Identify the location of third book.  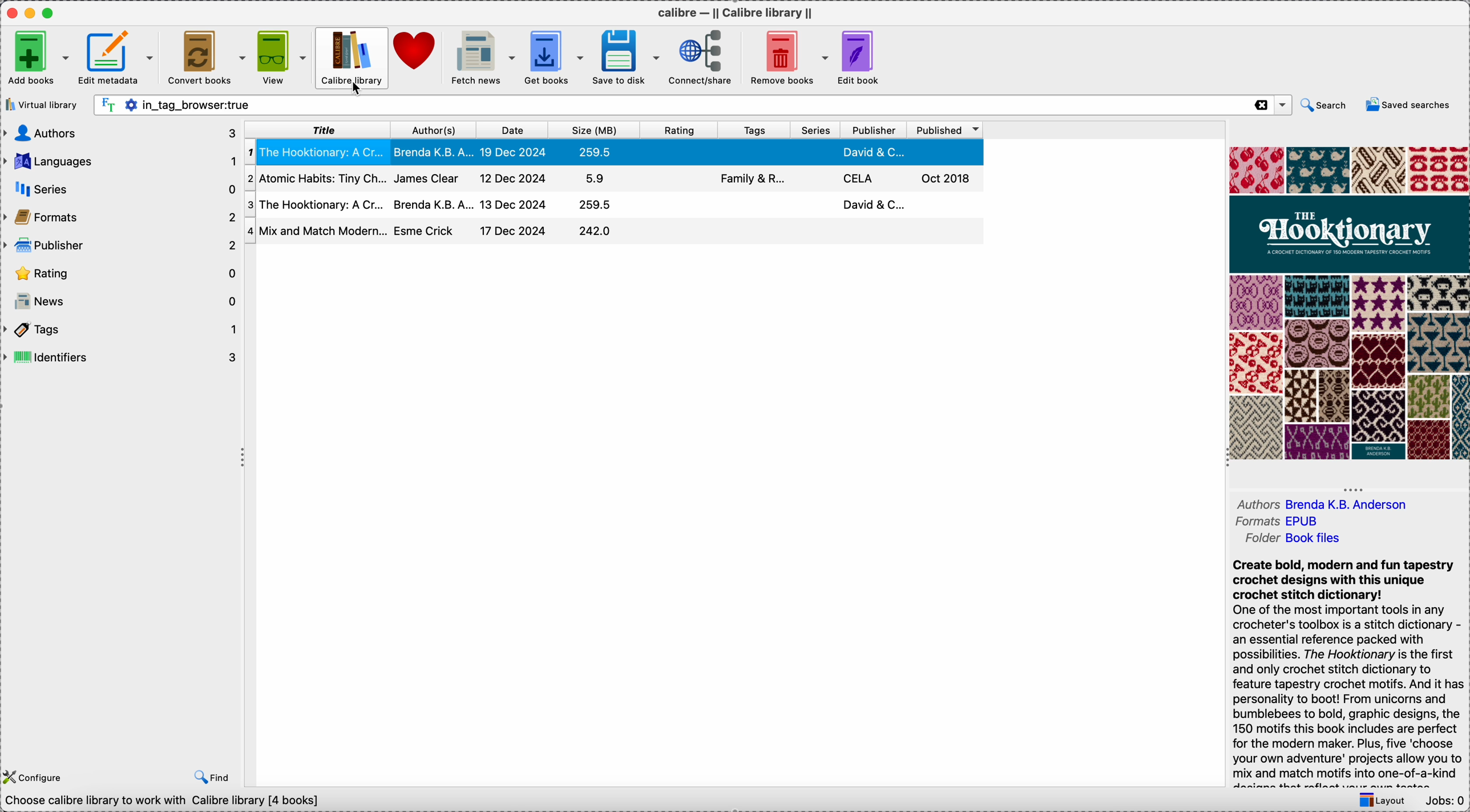
(613, 205).